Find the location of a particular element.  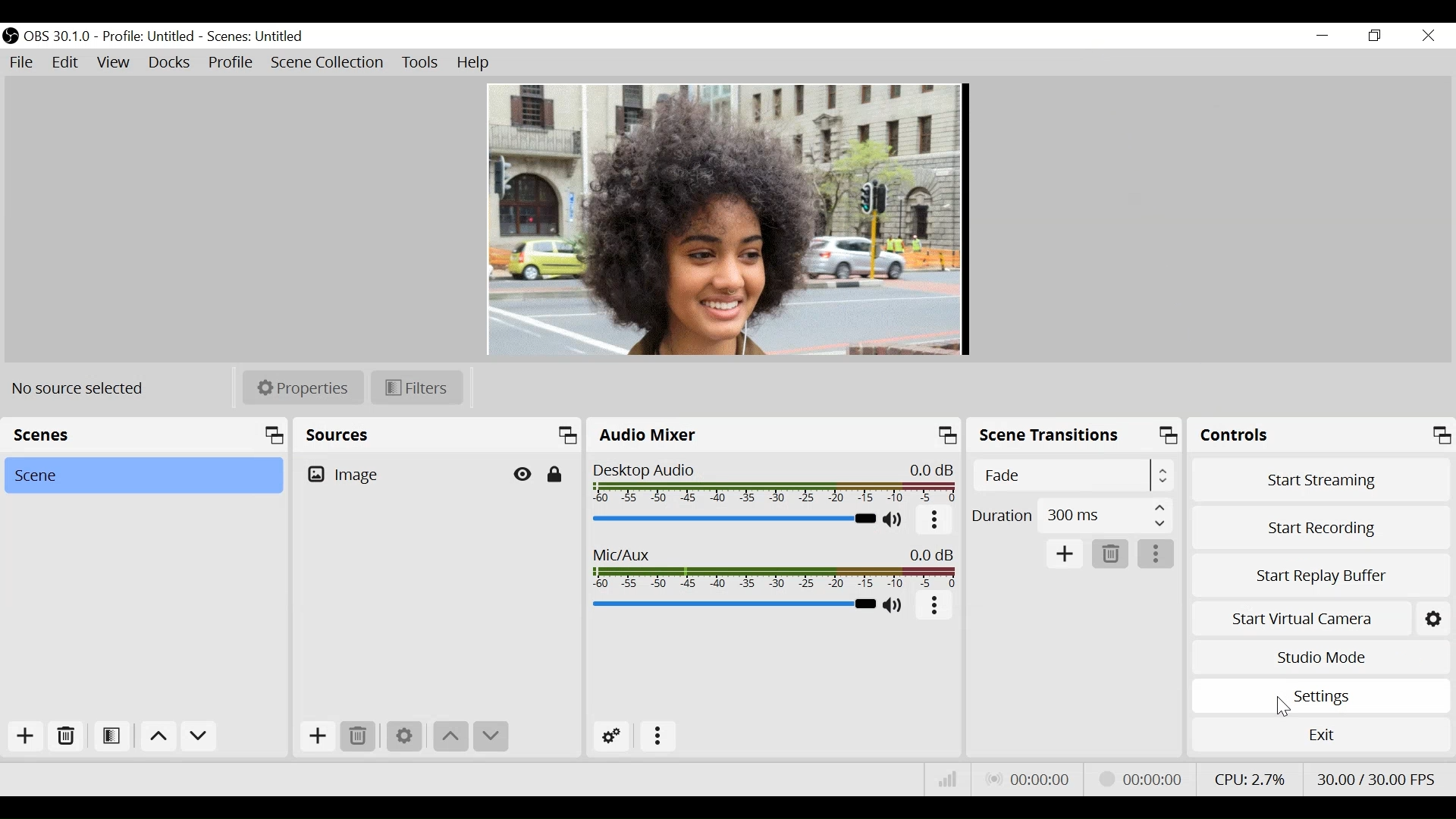

No Source Selected is located at coordinates (83, 388).